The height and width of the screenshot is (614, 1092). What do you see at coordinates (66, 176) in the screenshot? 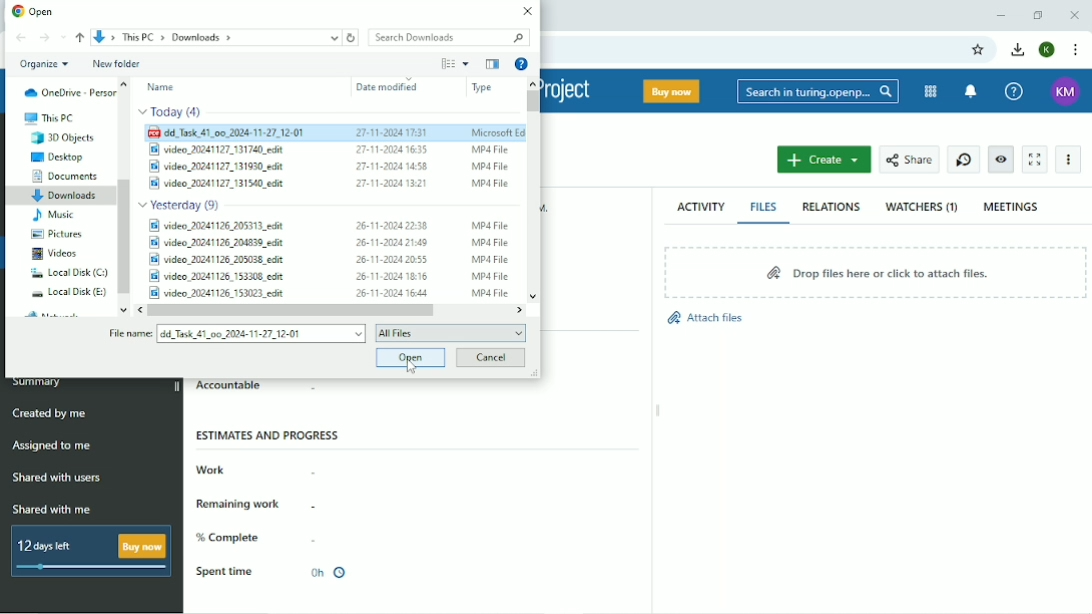
I see `Documents` at bounding box center [66, 176].